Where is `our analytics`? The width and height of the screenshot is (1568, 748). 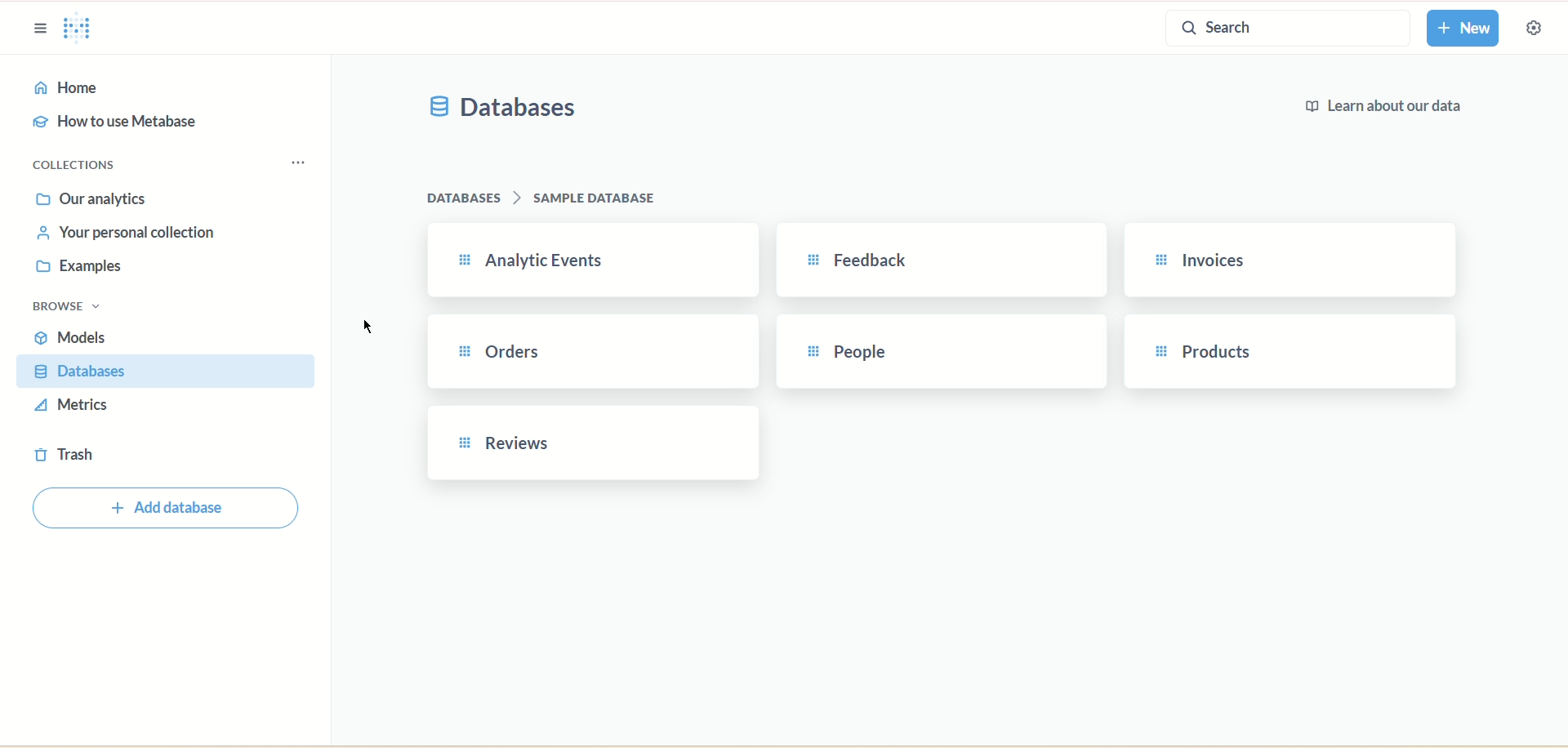
our analytics is located at coordinates (91, 198).